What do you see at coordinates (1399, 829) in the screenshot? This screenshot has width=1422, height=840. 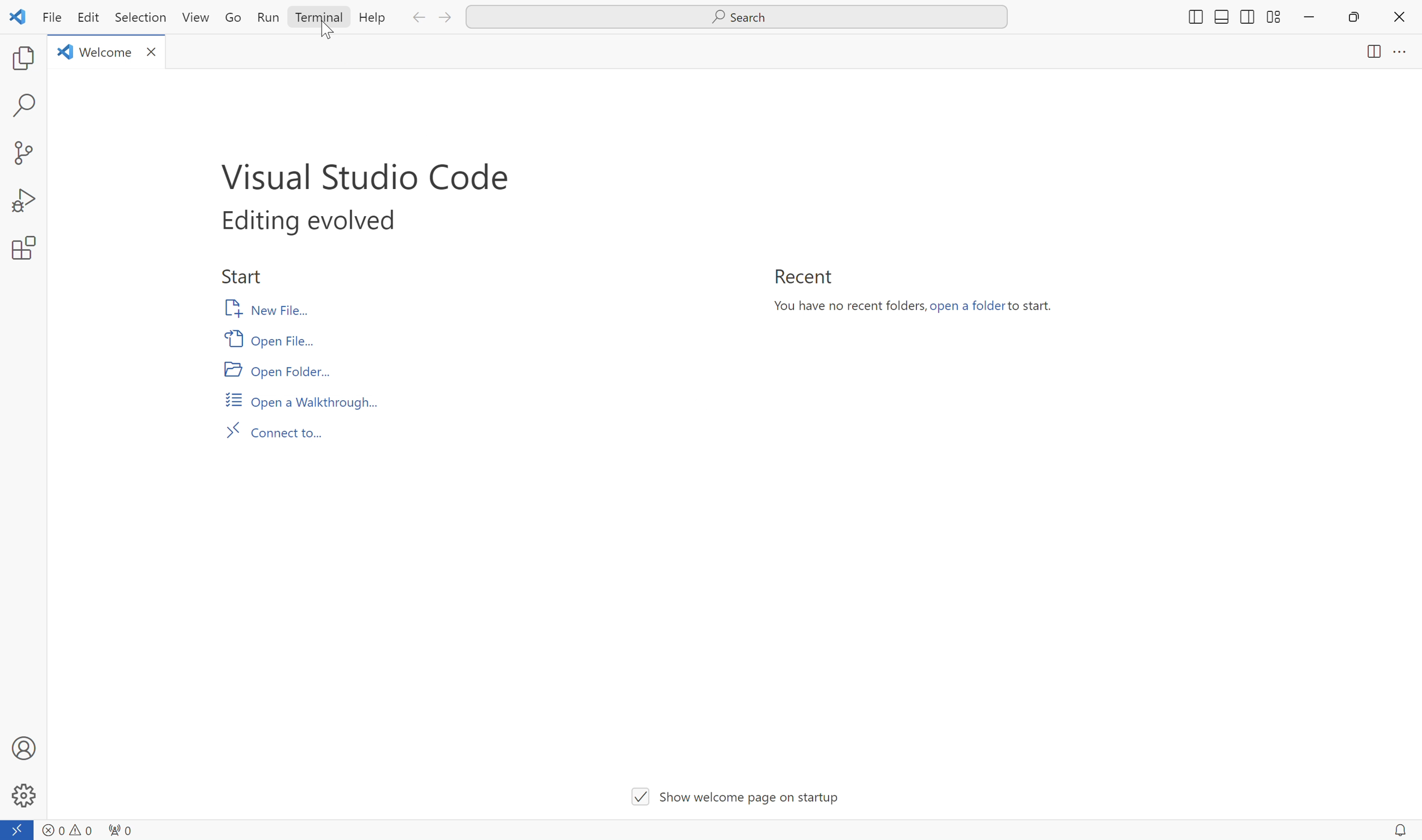 I see `notification` at bounding box center [1399, 829].